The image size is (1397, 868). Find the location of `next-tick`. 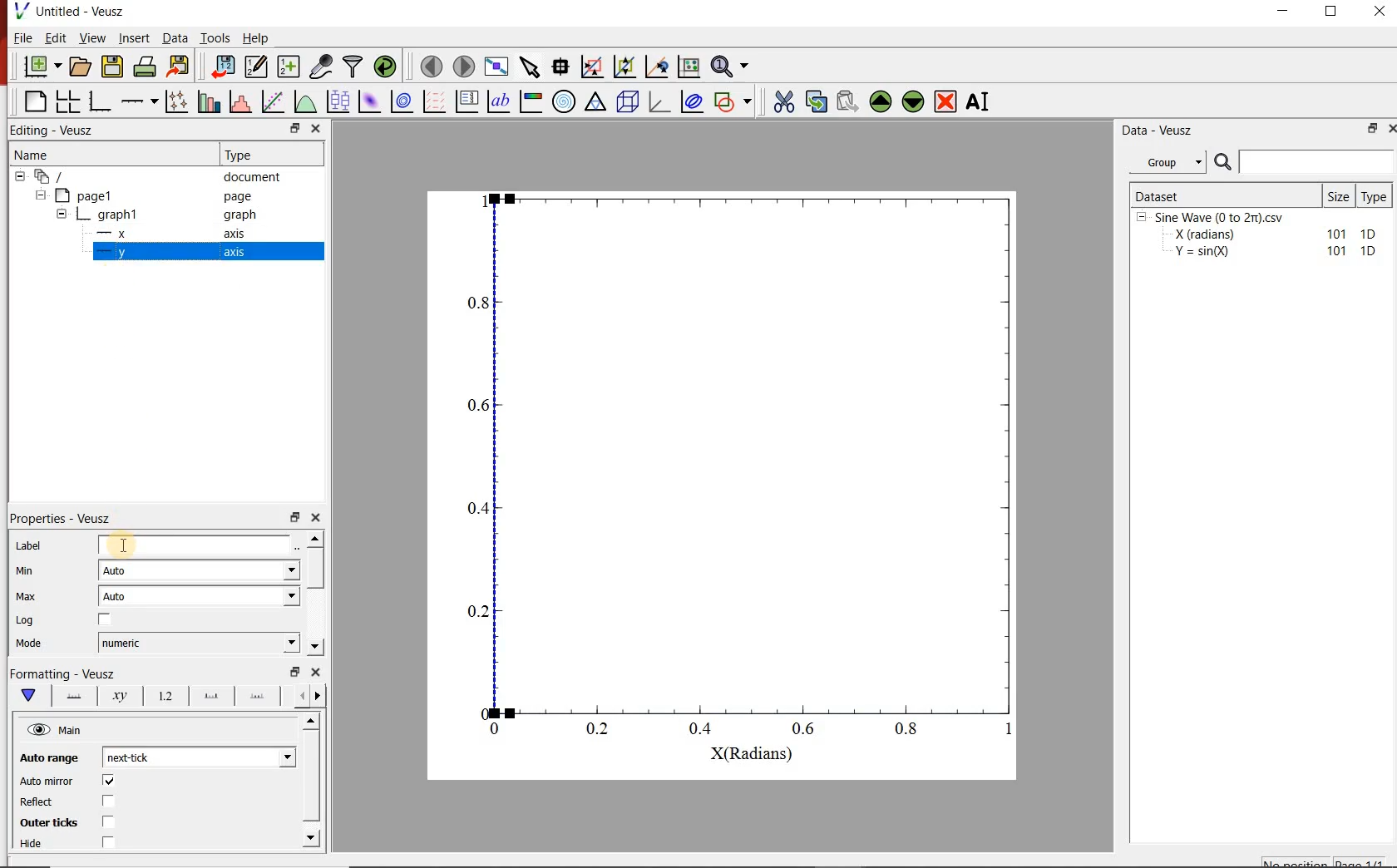

next-tick is located at coordinates (196, 756).